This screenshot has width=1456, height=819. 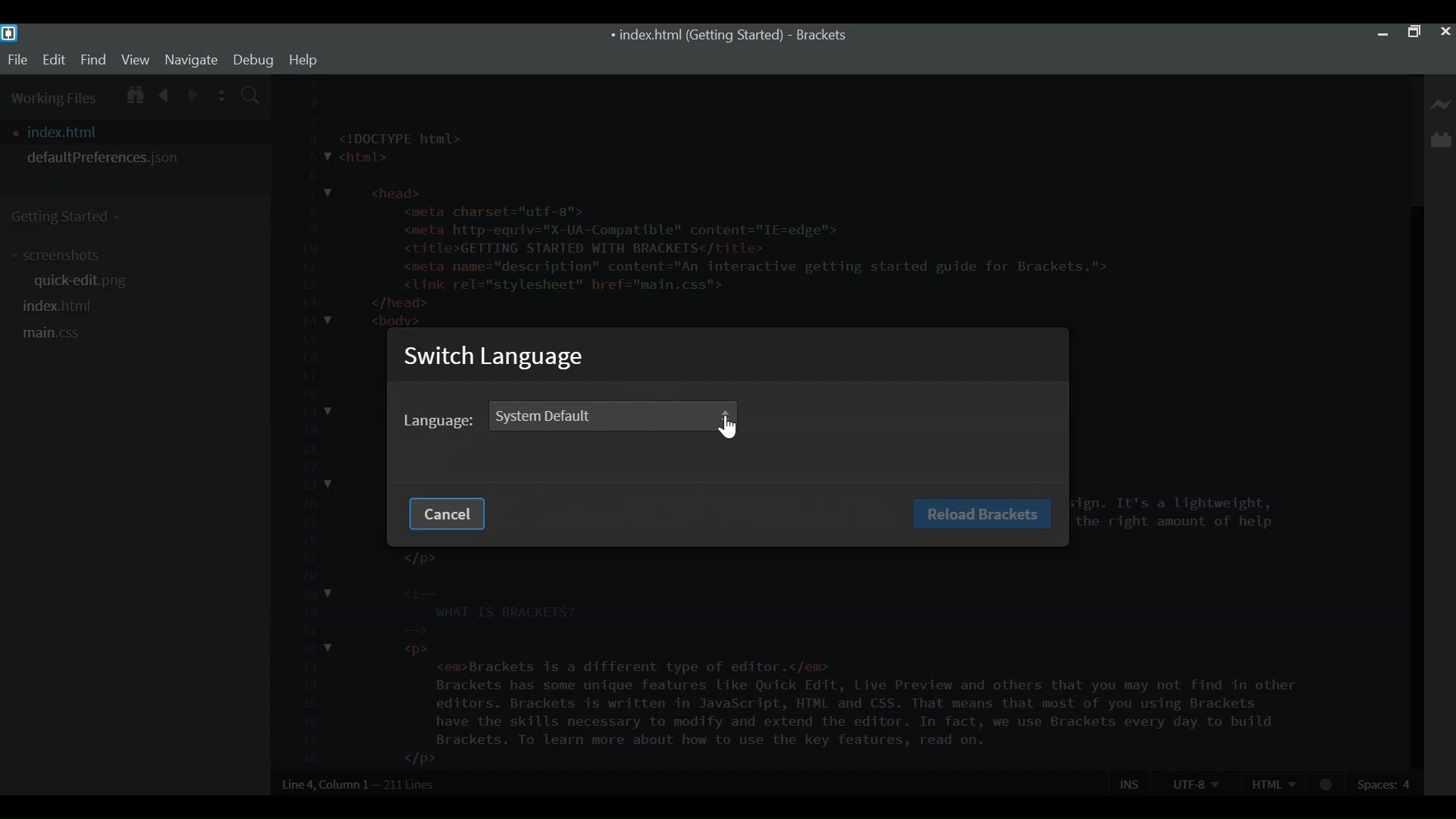 I want to click on Navigate Forward, so click(x=193, y=93).